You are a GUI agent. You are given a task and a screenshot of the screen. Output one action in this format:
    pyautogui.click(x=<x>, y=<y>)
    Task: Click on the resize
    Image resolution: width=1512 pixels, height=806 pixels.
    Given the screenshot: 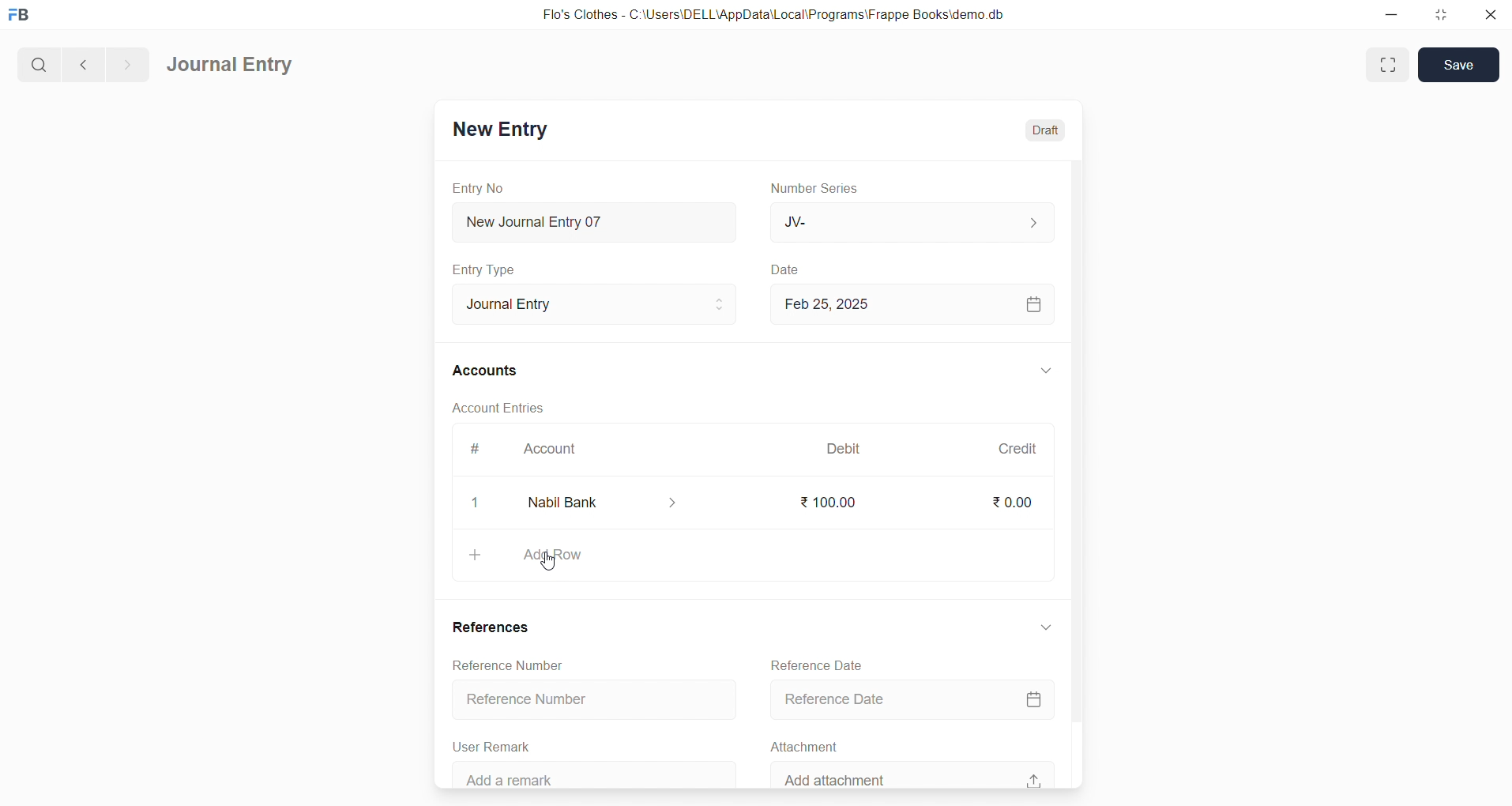 What is the action you would take?
    pyautogui.click(x=1439, y=16)
    